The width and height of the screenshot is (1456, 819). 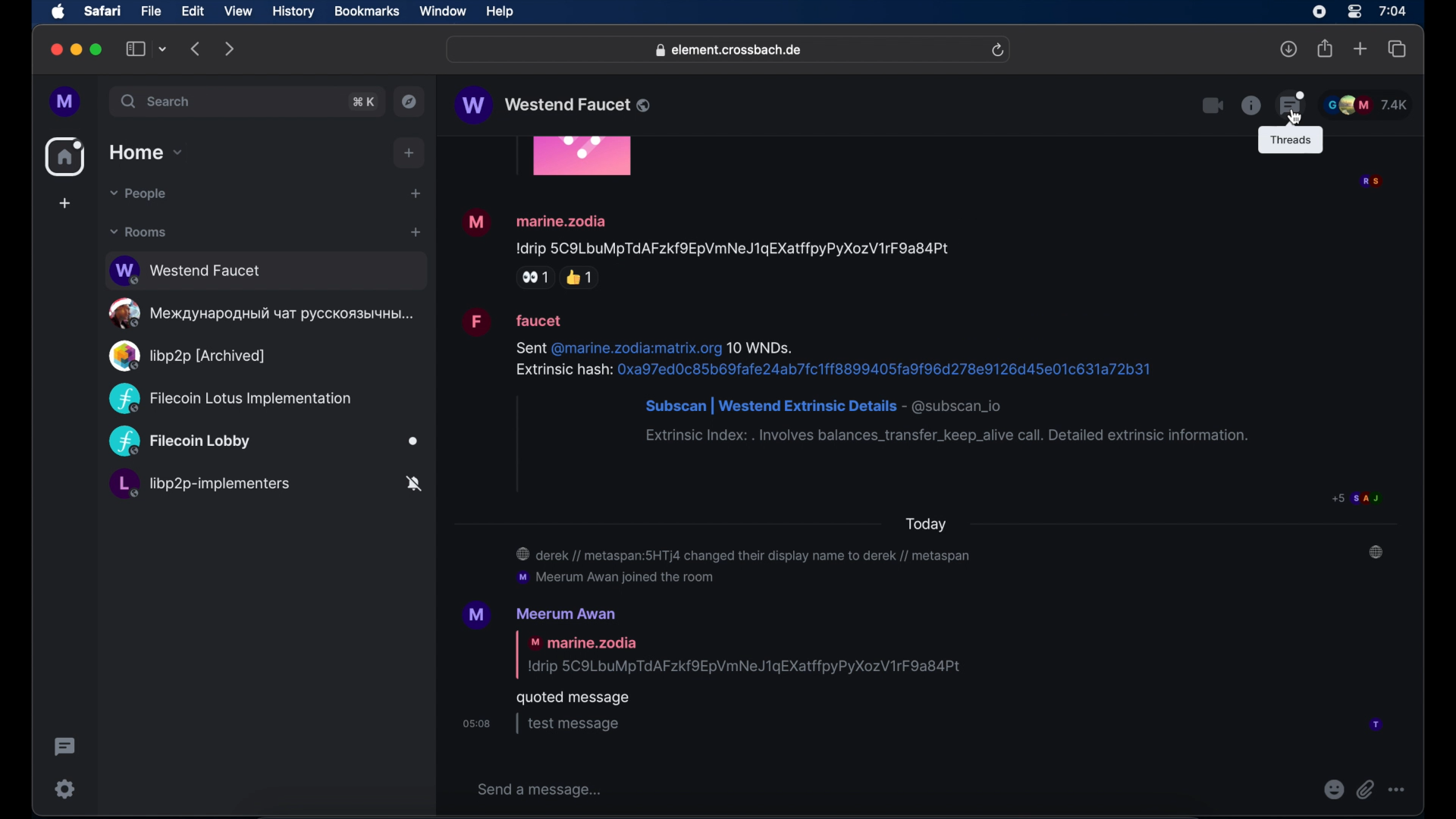 What do you see at coordinates (513, 319) in the screenshot?
I see `faucet` at bounding box center [513, 319].